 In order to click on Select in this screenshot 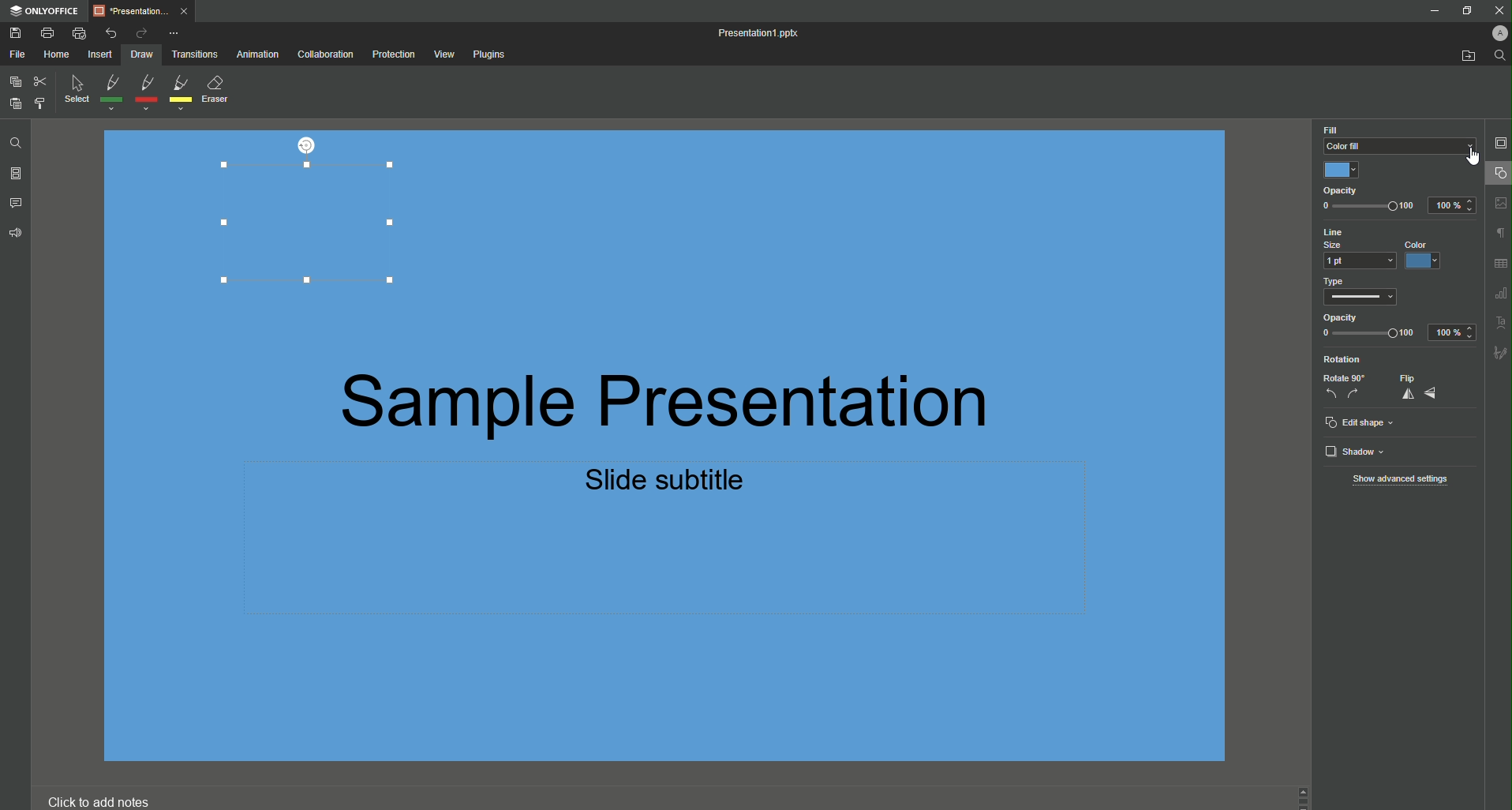, I will do `click(75, 92)`.